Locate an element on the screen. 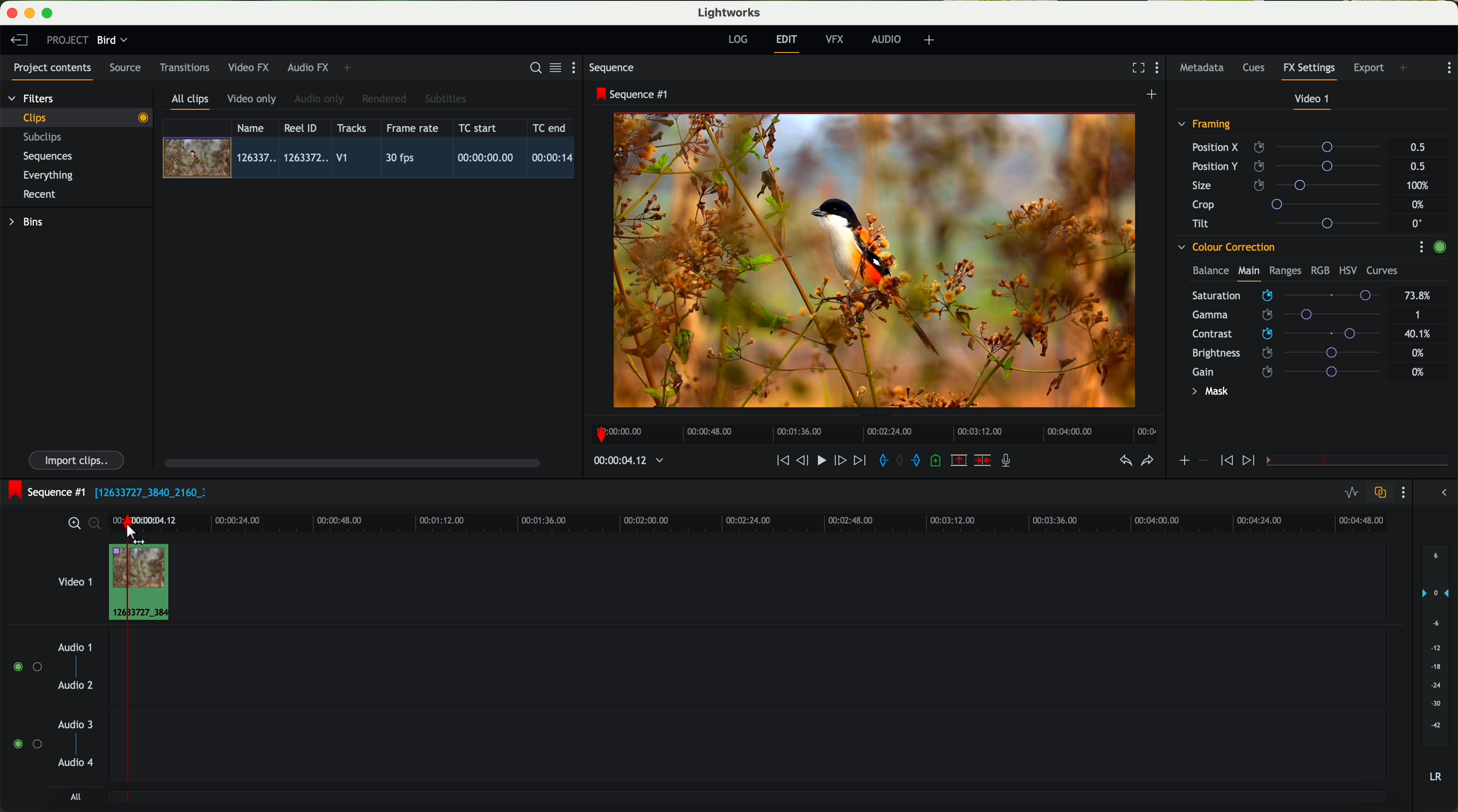 This screenshot has width=1458, height=812. frame rate is located at coordinates (413, 128).